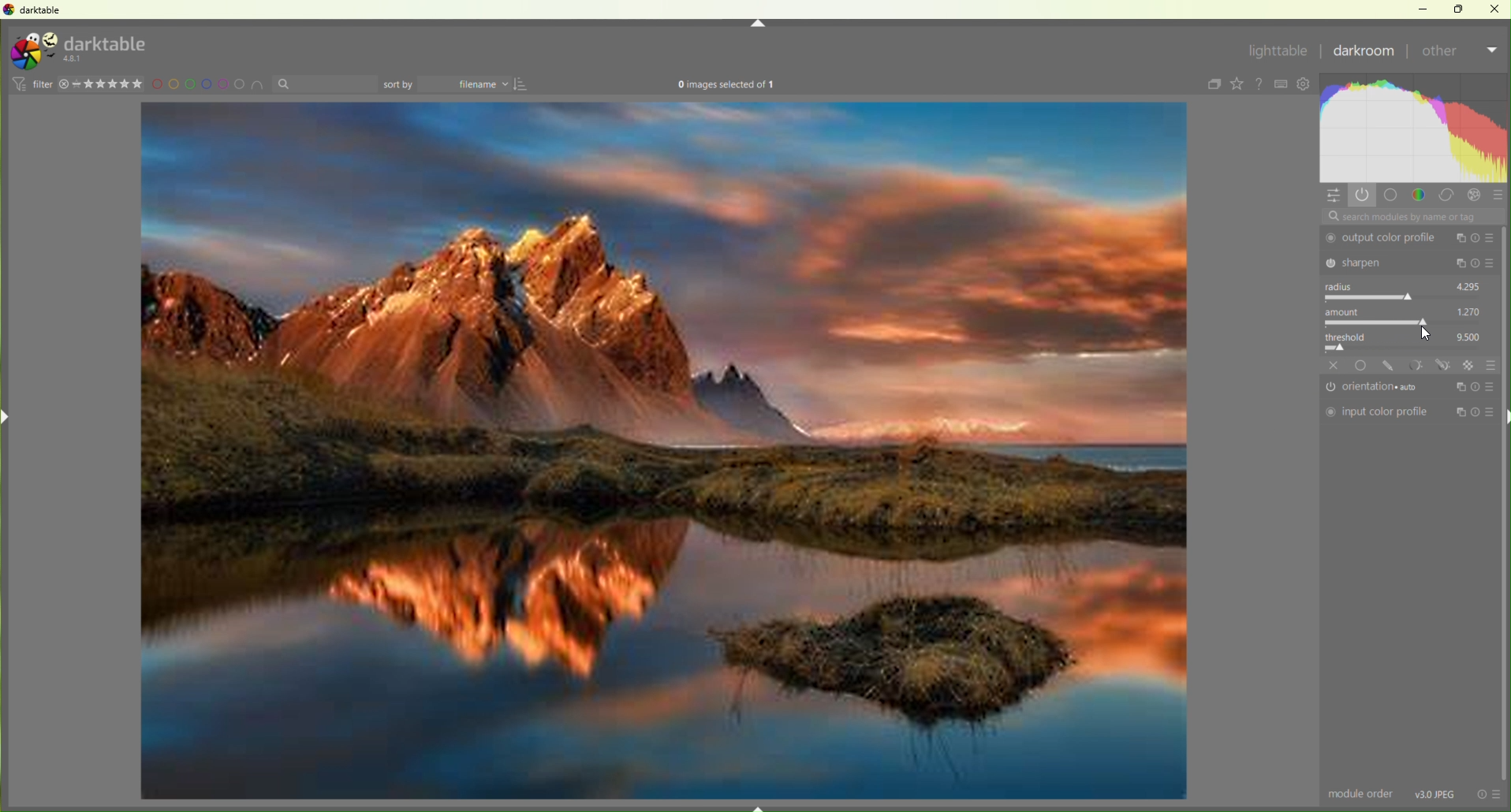 This screenshot has width=1511, height=812. Describe the element at coordinates (664, 453) in the screenshot. I see `image` at that location.